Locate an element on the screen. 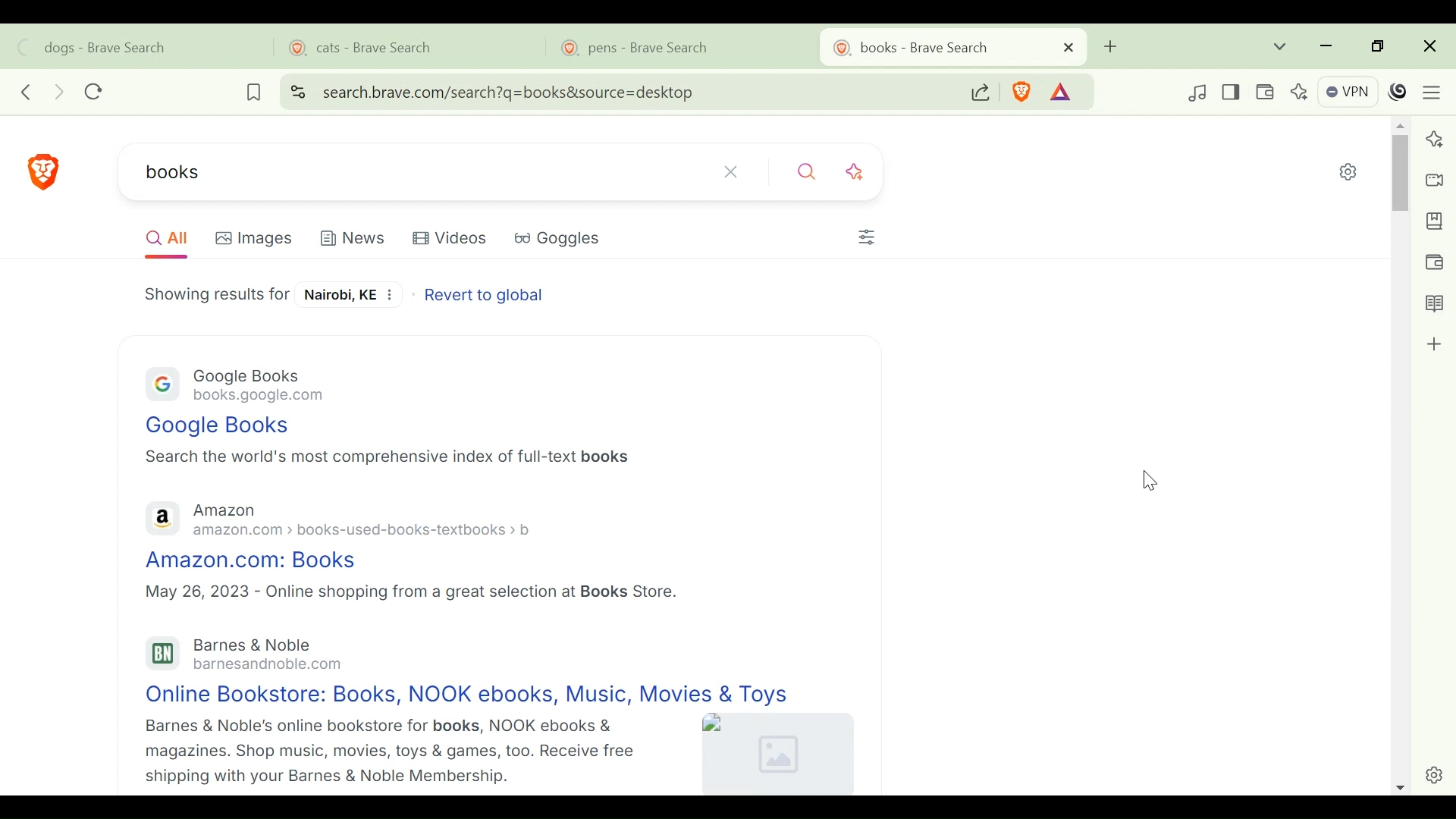 This screenshot has height=819, width=1456. Google Books is located at coordinates (251, 374).